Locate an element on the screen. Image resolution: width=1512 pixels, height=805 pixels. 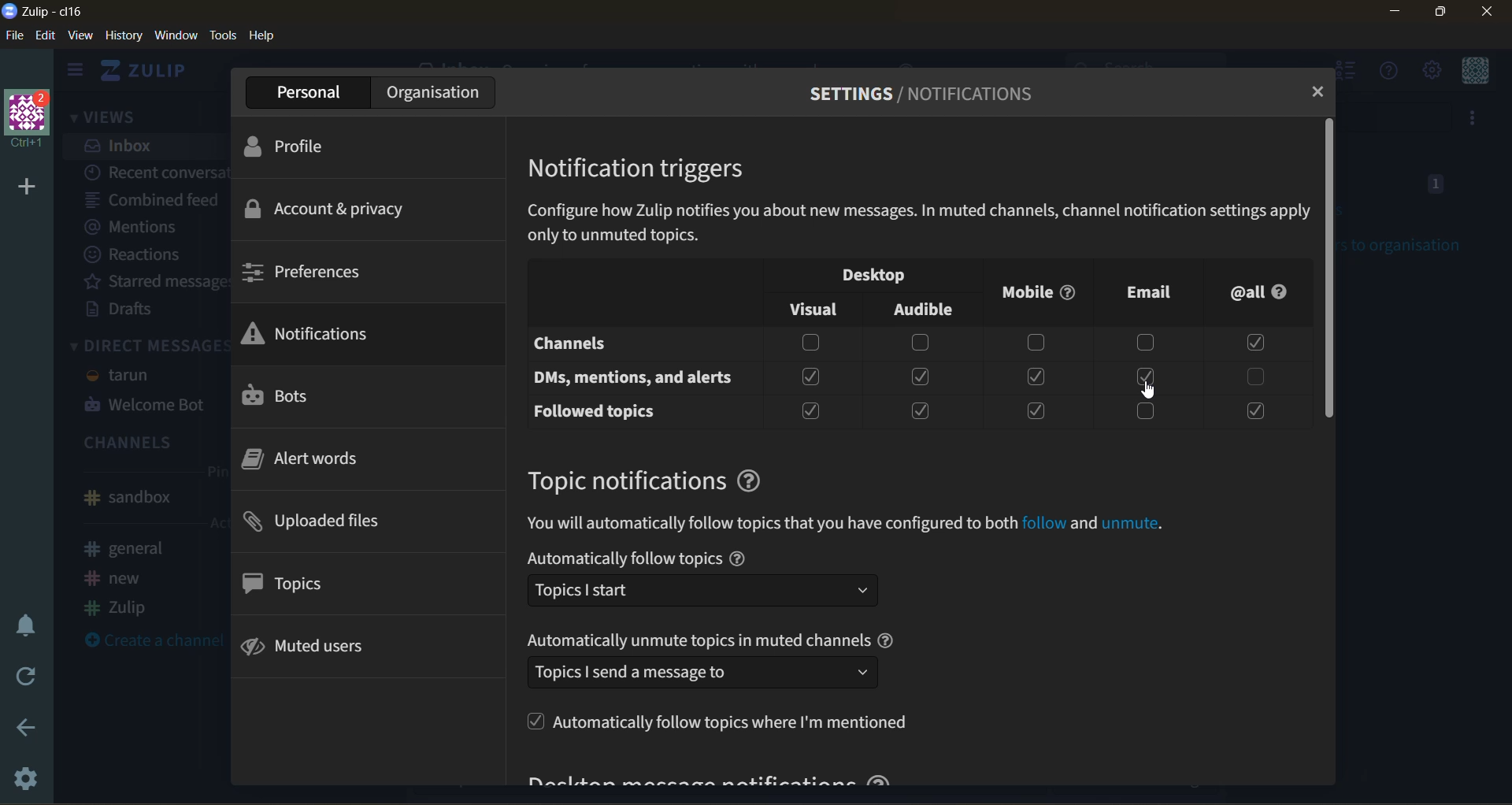
automatically unmute topics in muted channels is located at coordinates (717, 660).